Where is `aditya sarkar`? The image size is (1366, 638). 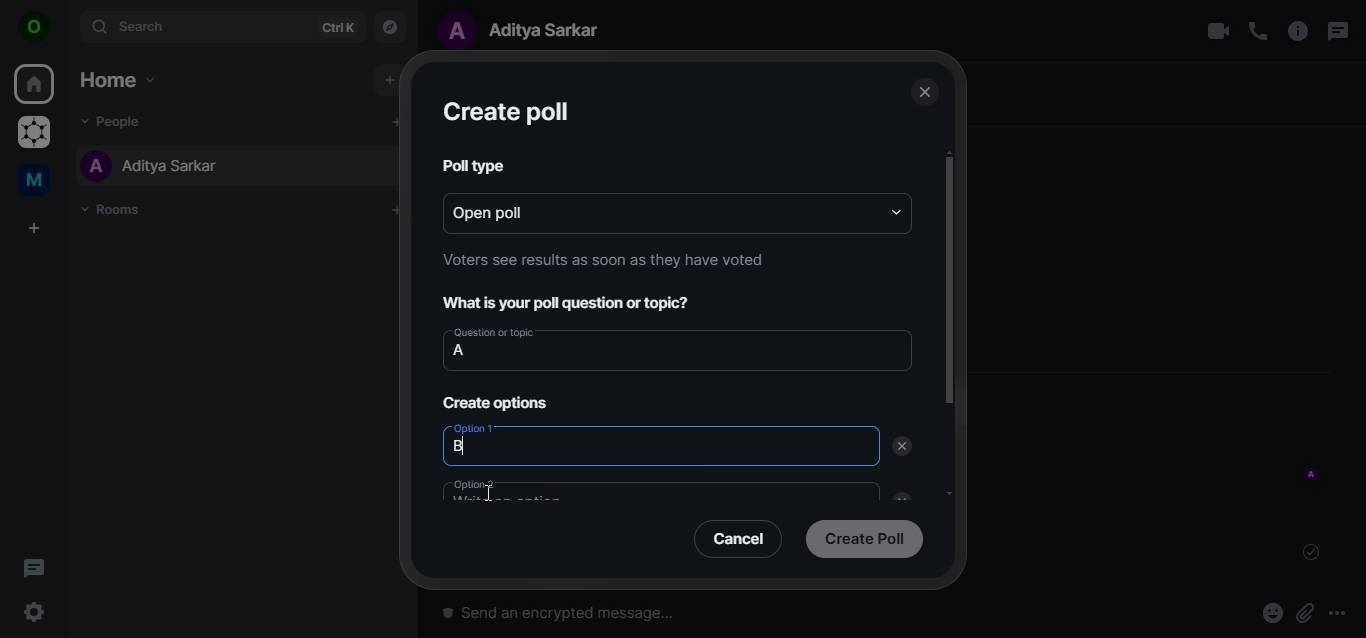
aditya sarkar is located at coordinates (151, 165).